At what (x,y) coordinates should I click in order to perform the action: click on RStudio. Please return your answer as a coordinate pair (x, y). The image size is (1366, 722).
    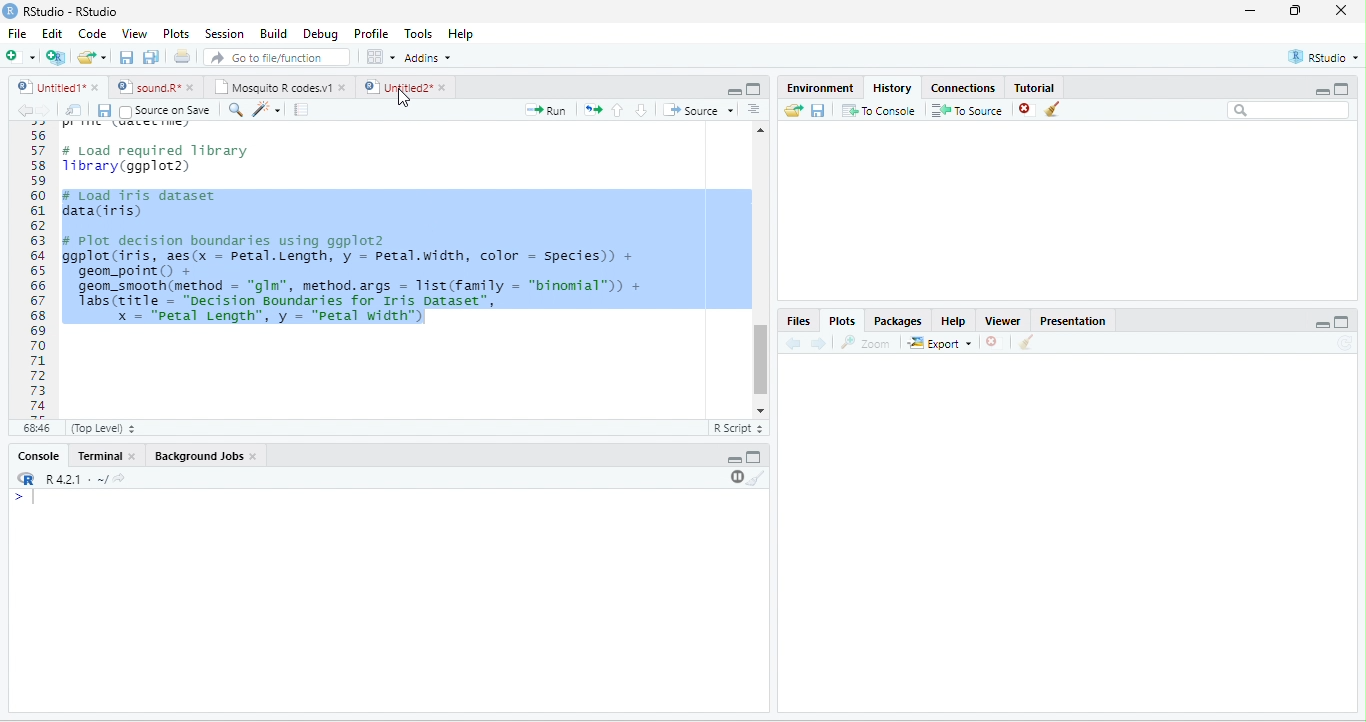
    Looking at the image, I should click on (1324, 57).